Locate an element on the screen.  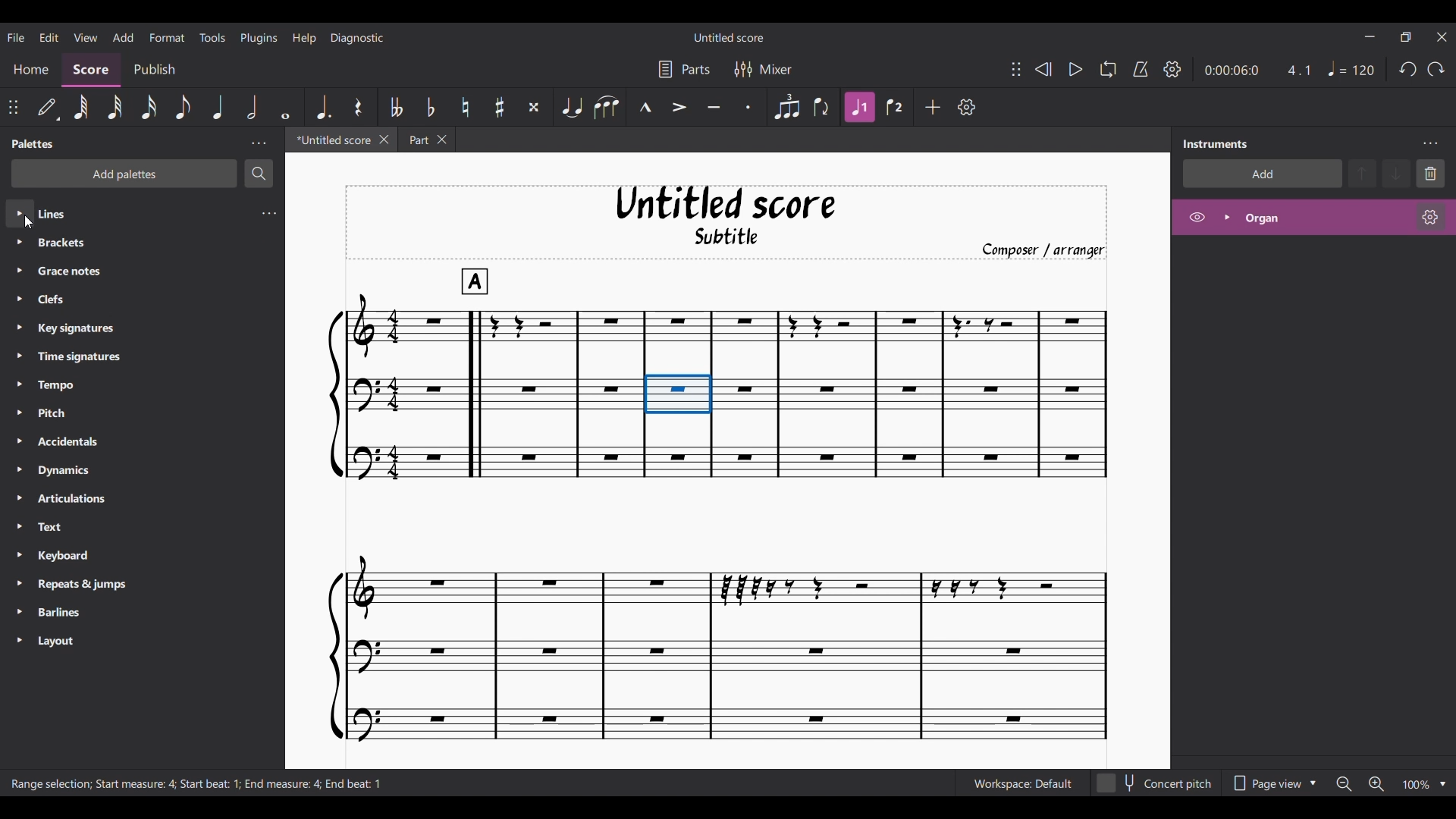
Expand Organ is located at coordinates (1227, 217).